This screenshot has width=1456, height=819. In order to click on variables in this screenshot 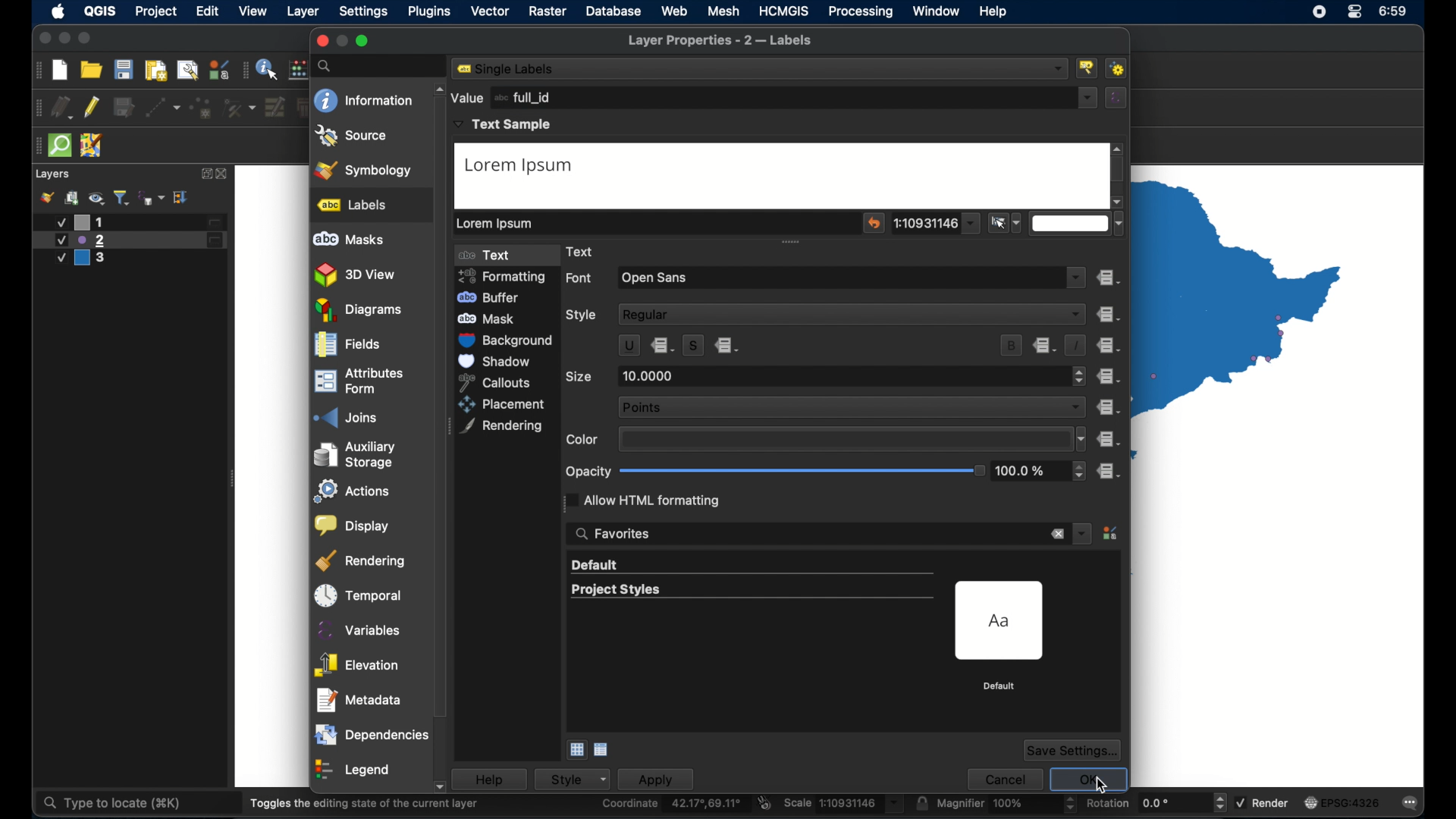, I will do `click(357, 626)`.